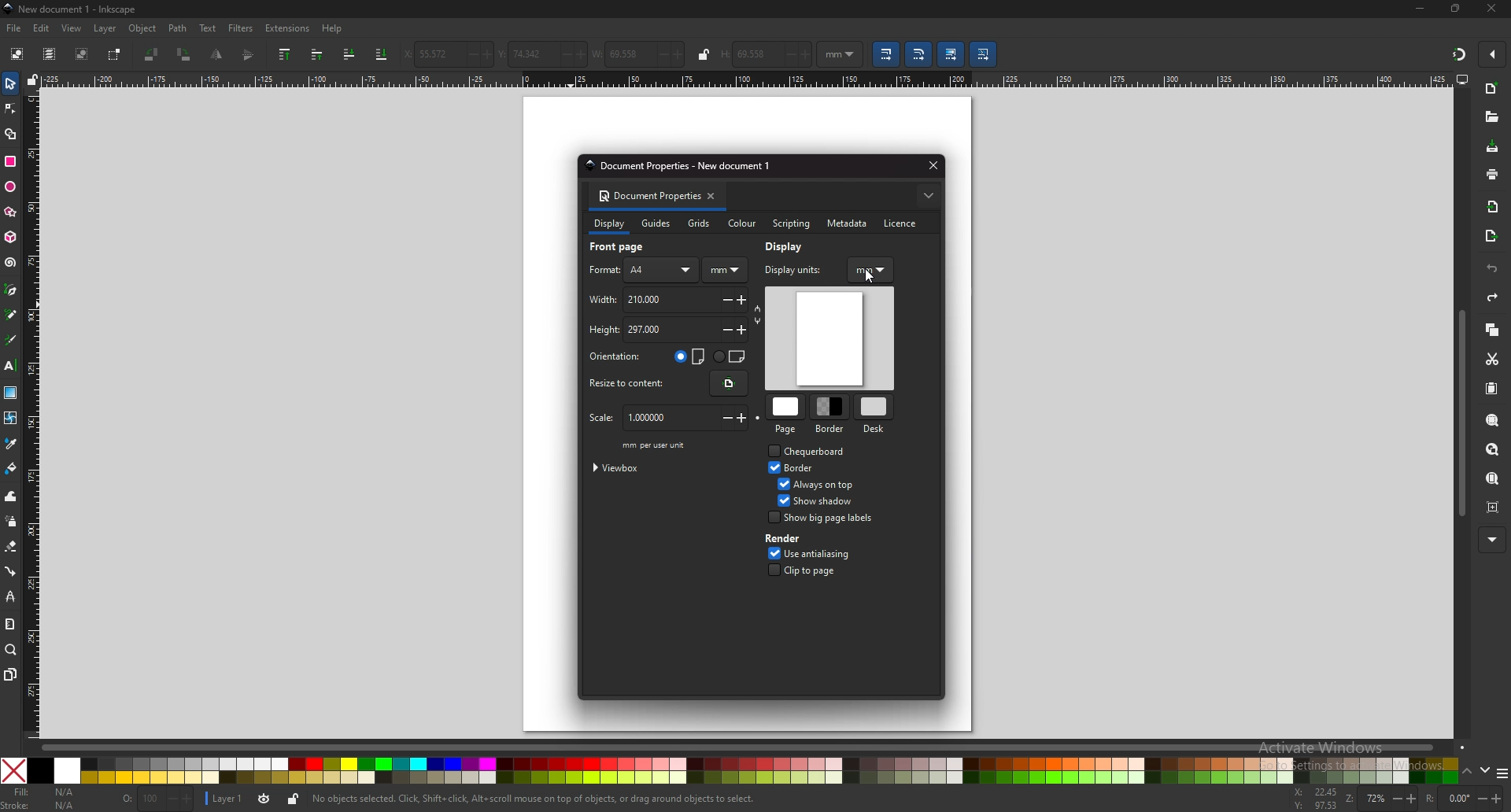 The width and height of the screenshot is (1511, 812). I want to click on -, so click(722, 419).